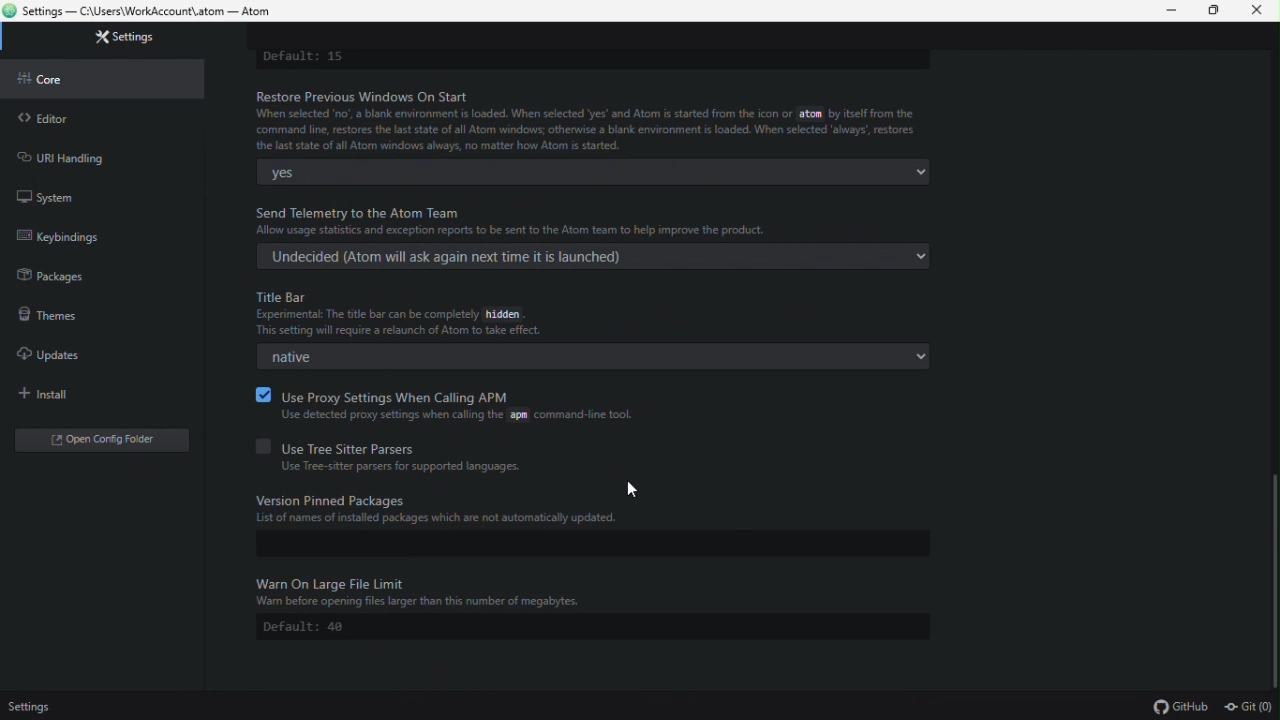 The image size is (1280, 720). I want to click on yes, so click(594, 172).